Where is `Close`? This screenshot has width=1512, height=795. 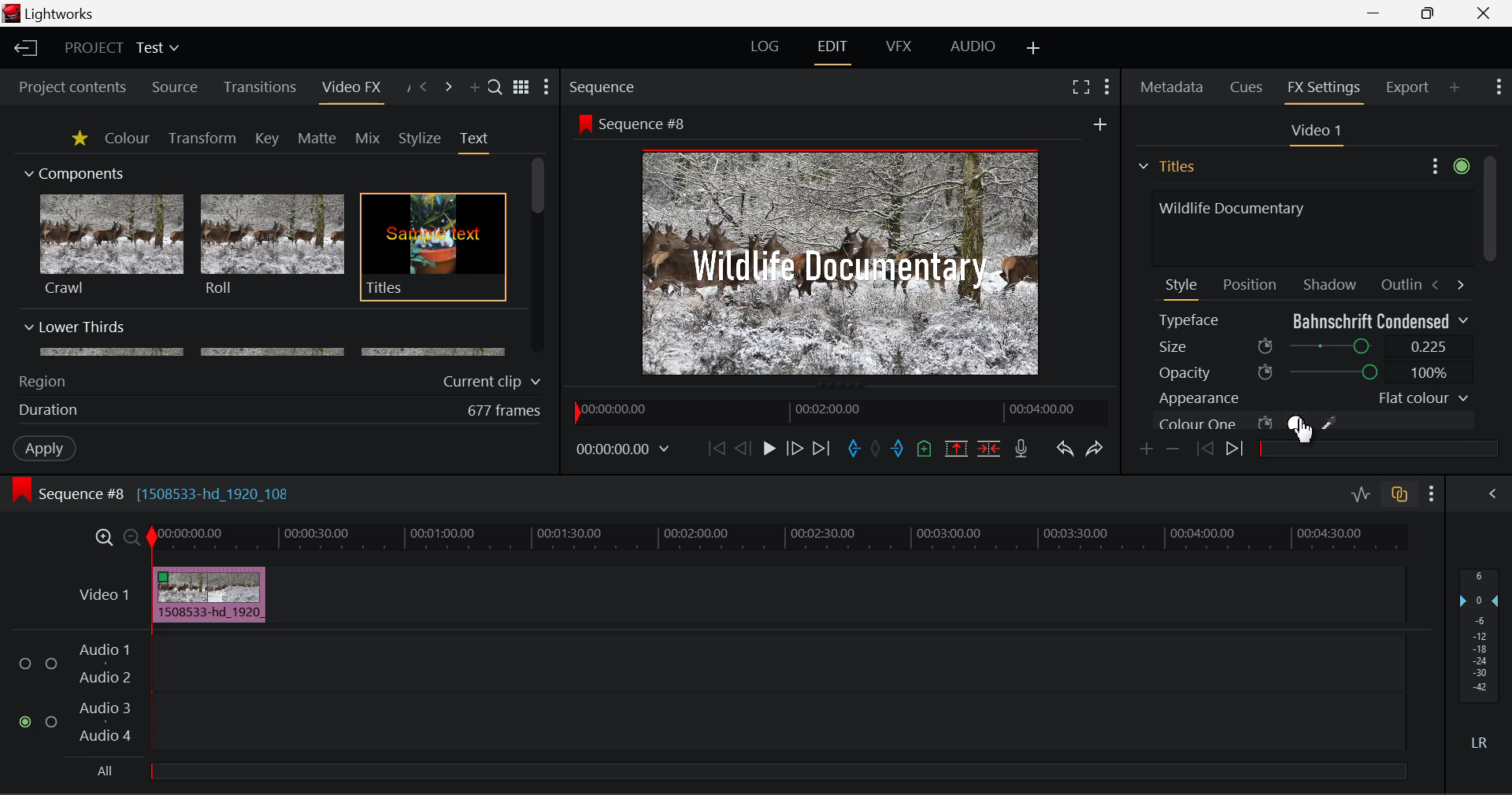
Close is located at coordinates (1484, 12).